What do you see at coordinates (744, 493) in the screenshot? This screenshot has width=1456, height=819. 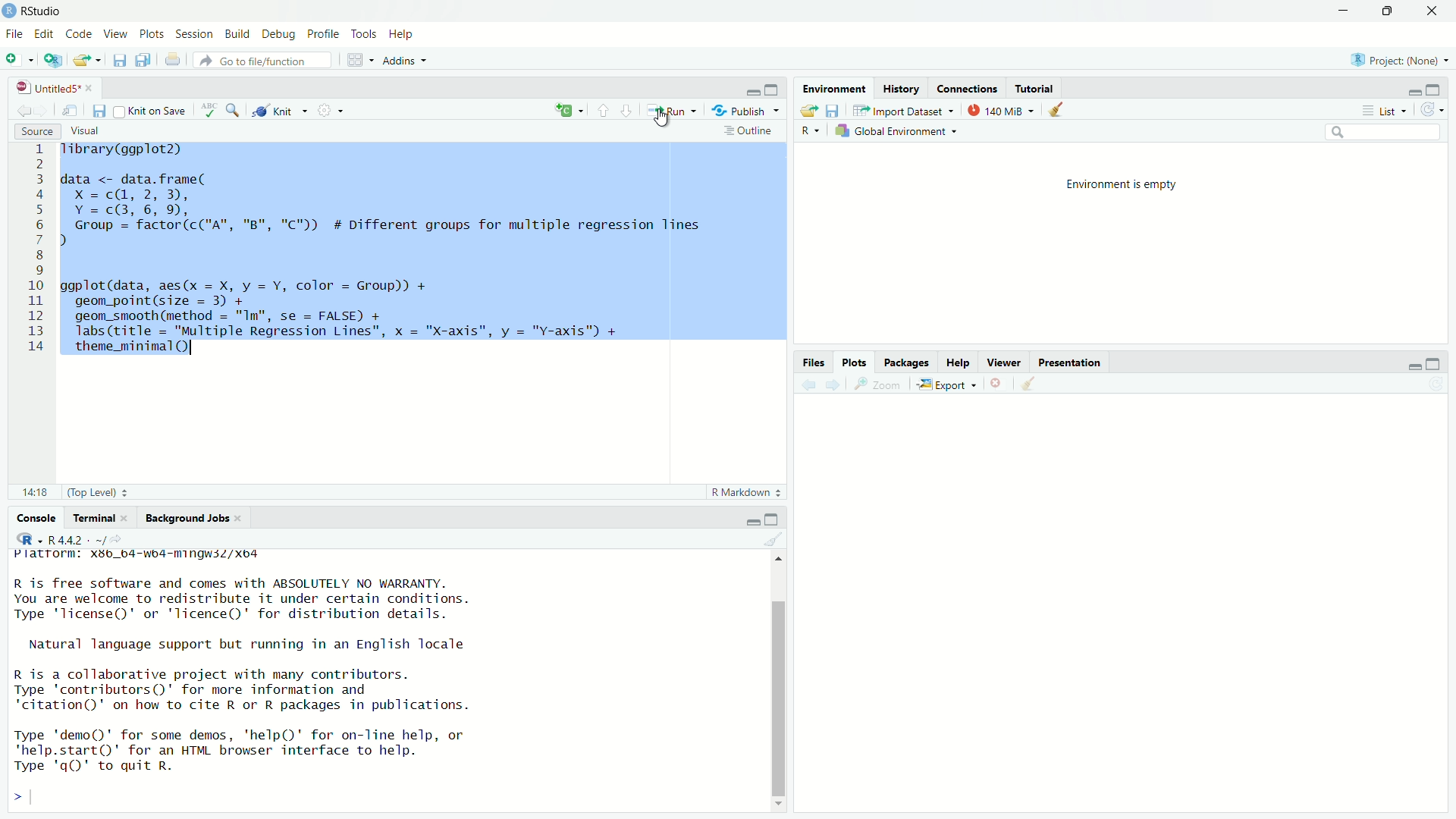 I see `R Markdown` at bounding box center [744, 493].